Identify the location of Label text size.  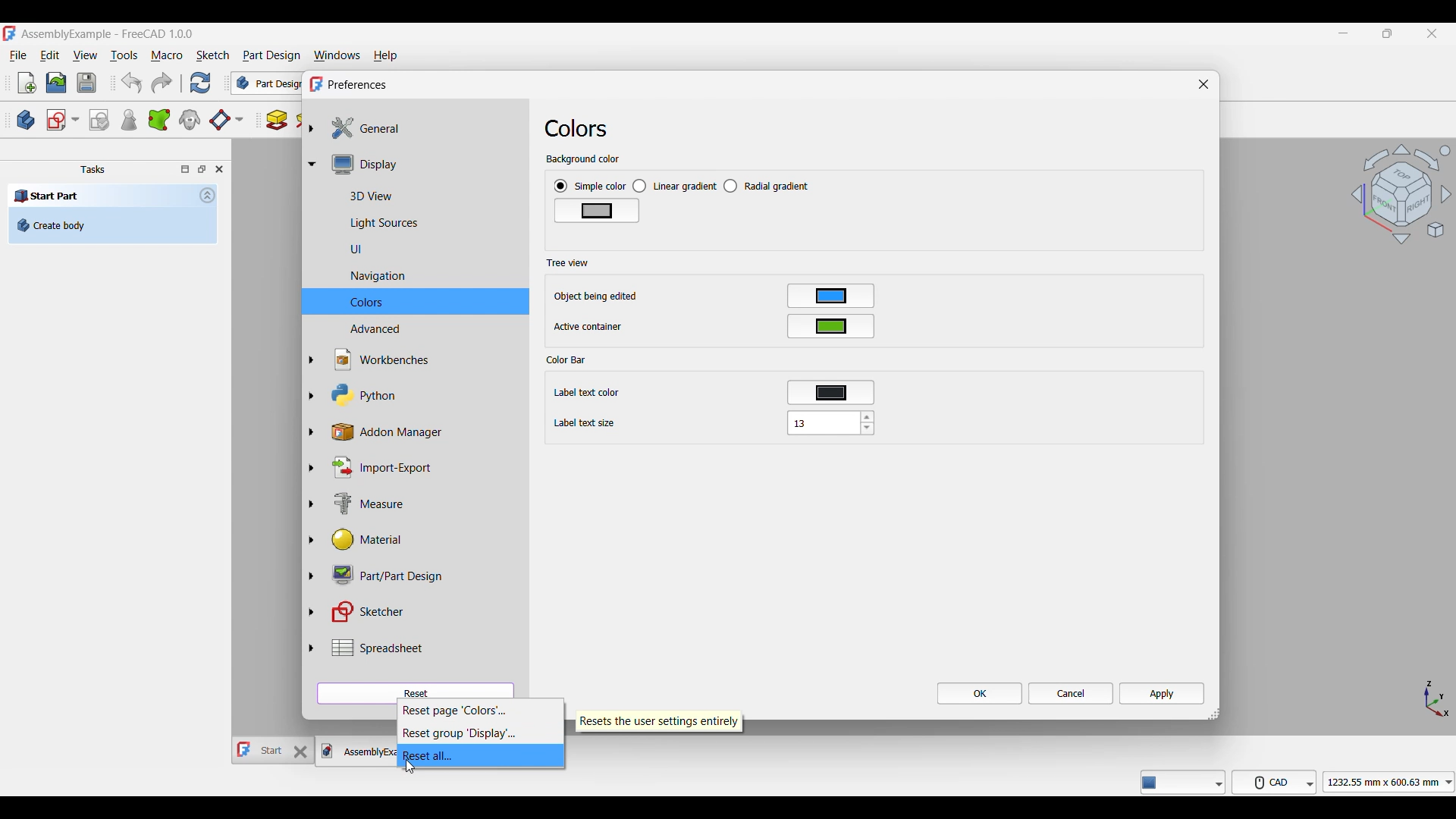
(585, 423).